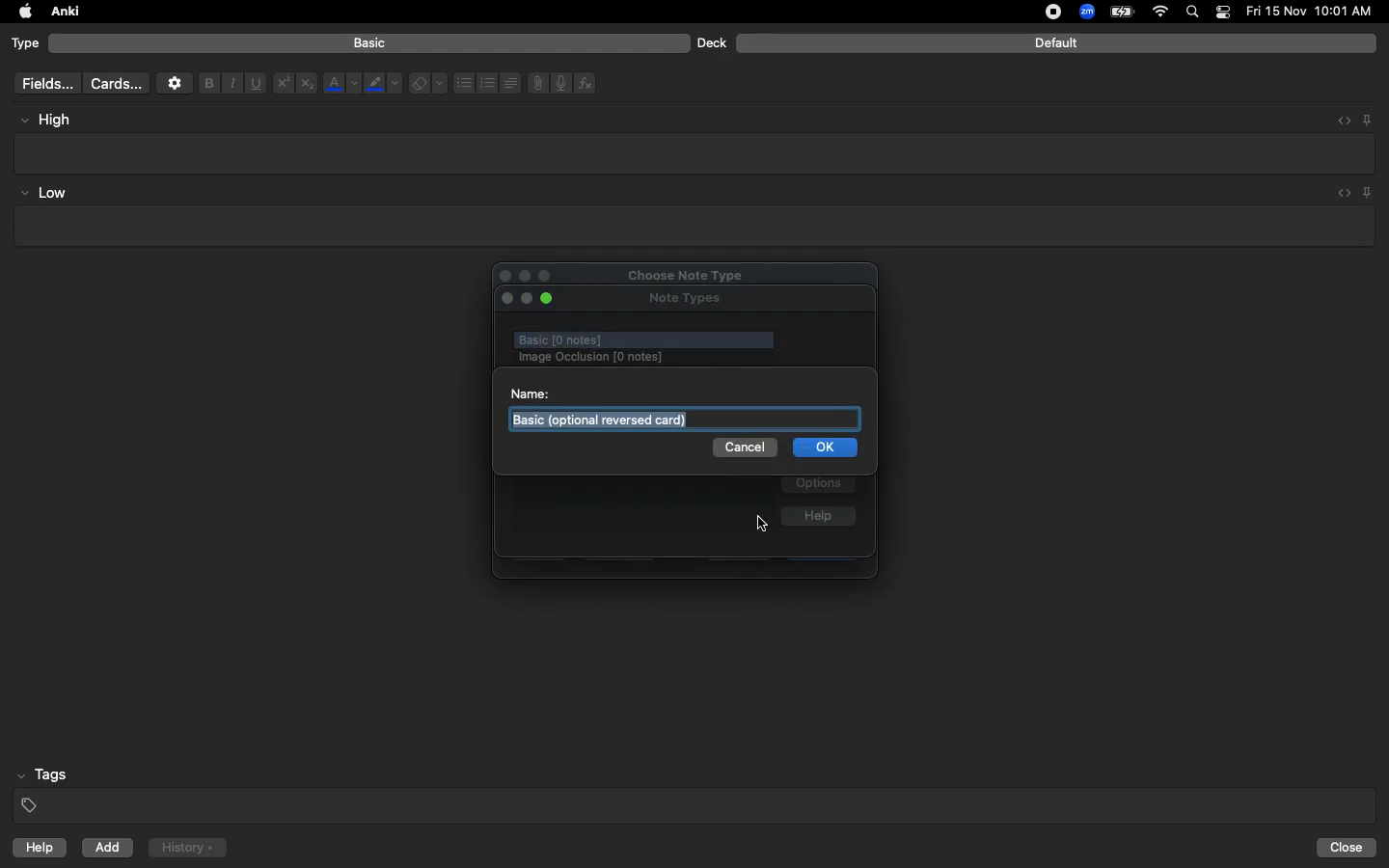 This screenshot has height=868, width=1389. Describe the element at coordinates (527, 300) in the screenshot. I see `minimize` at that location.